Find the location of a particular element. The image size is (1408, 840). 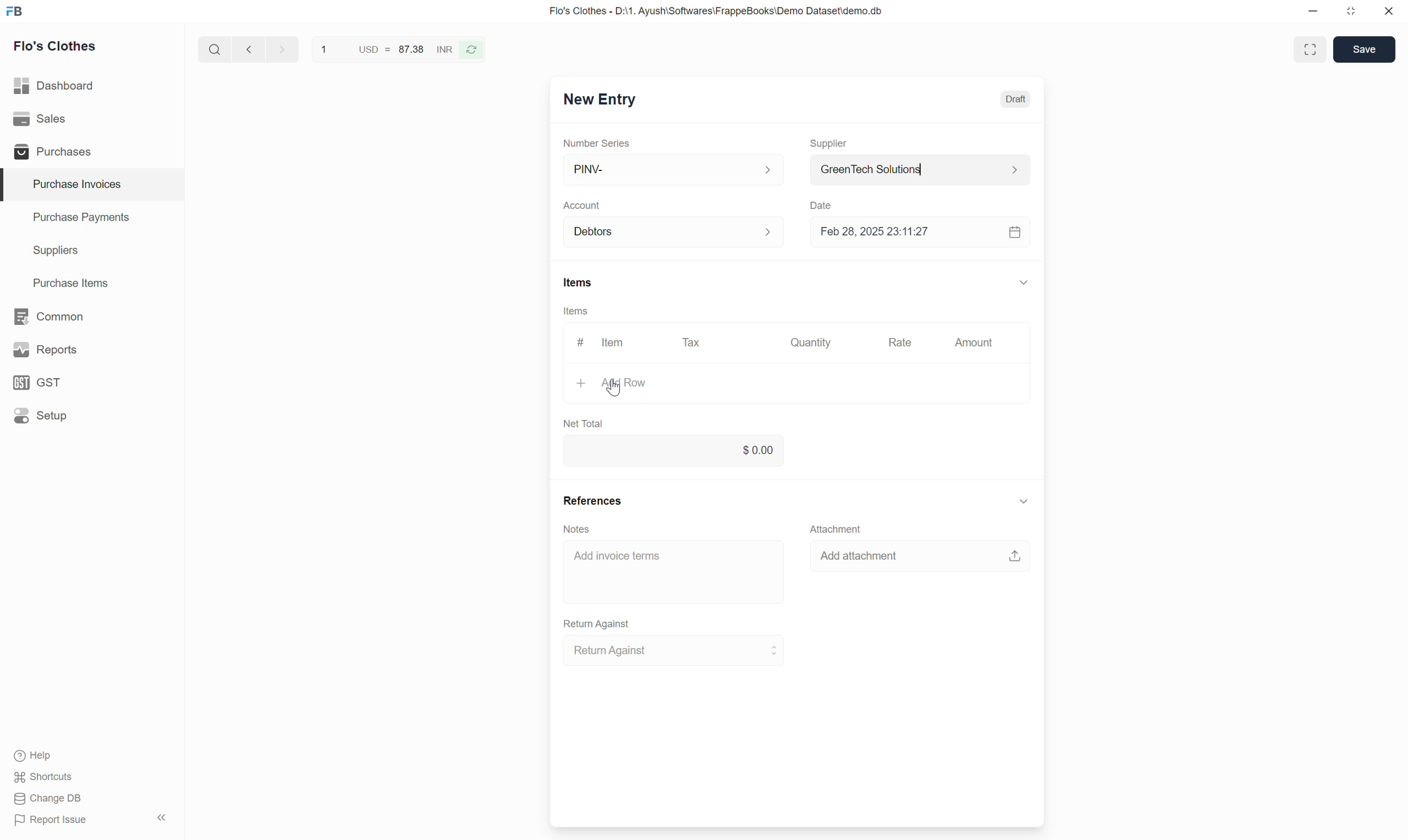

Search is located at coordinates (215, 49).